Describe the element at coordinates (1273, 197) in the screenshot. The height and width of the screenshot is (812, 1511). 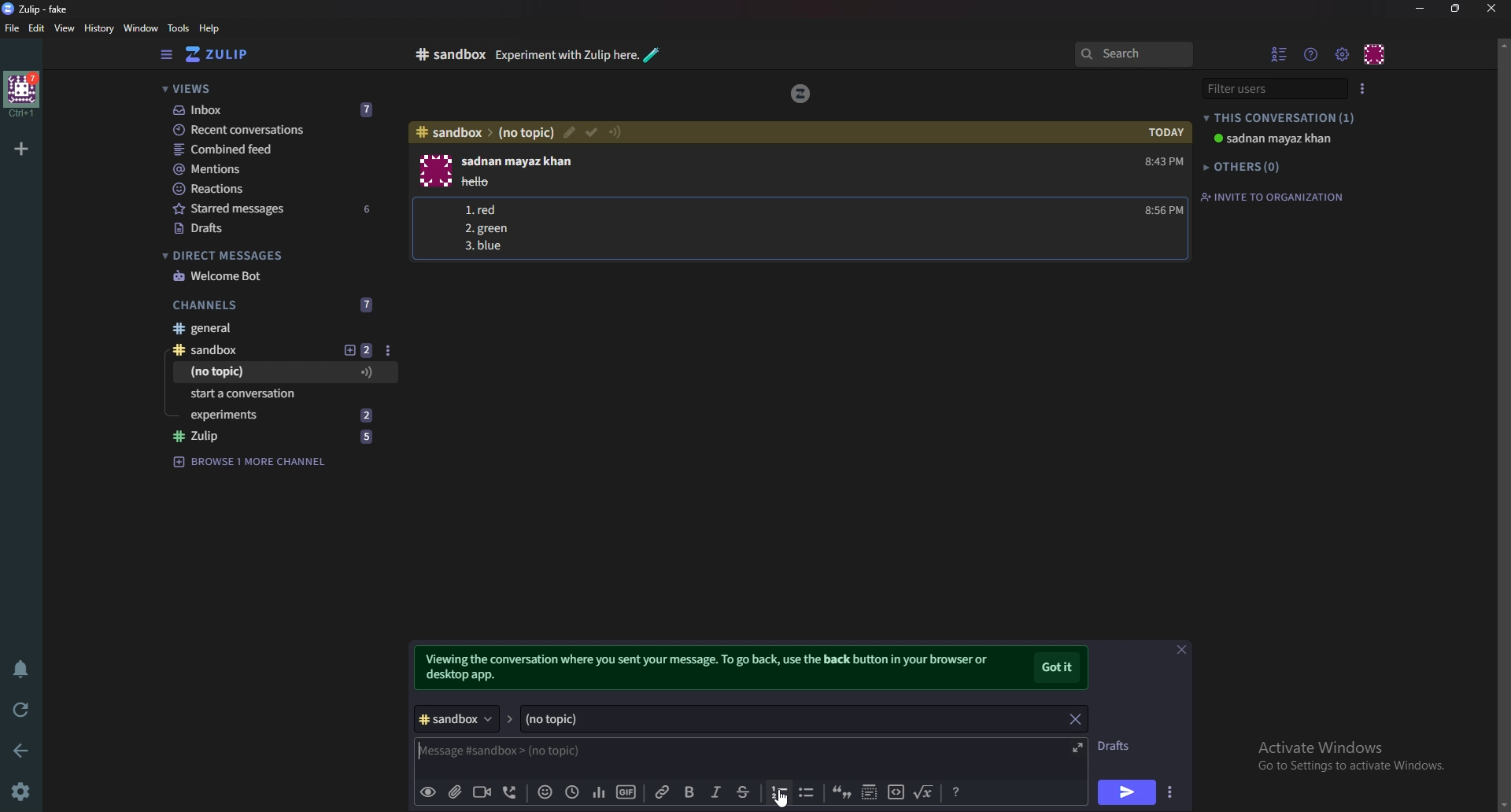
I see `invite to organization` at that location.